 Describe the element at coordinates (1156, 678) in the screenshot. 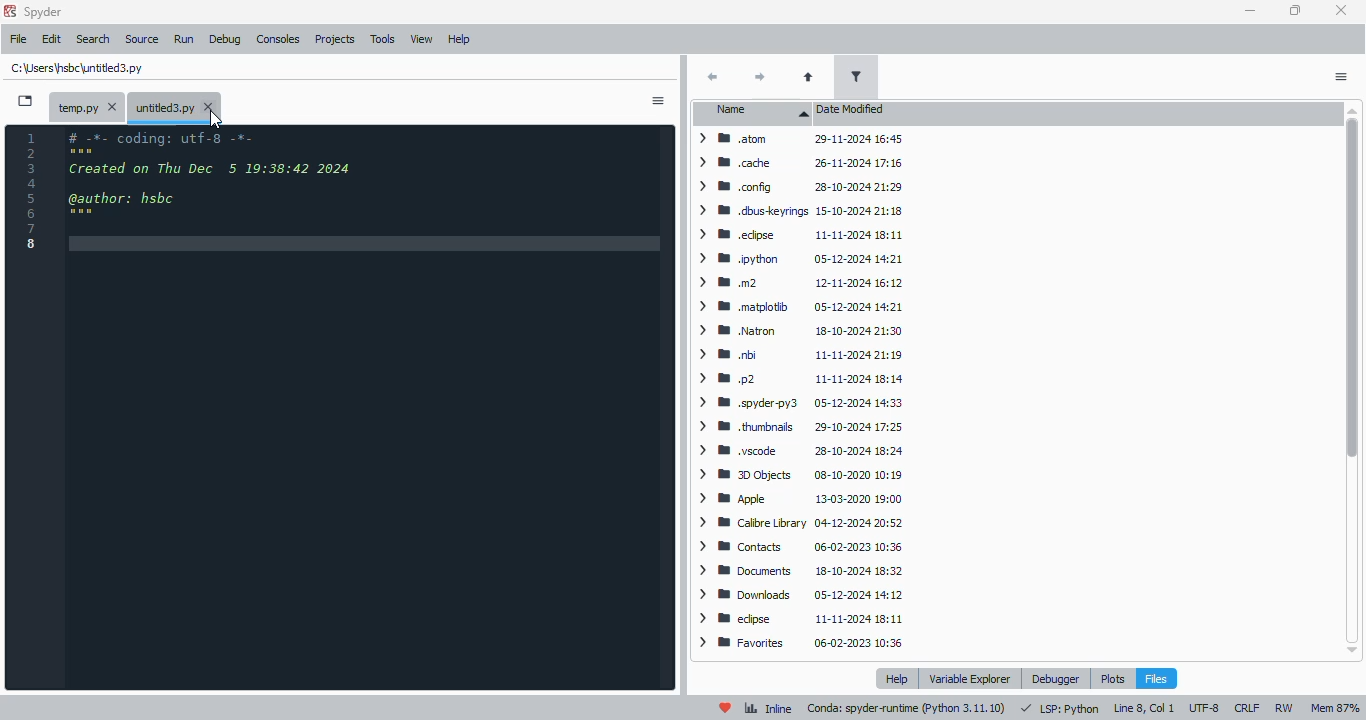

I see `files` at that location.